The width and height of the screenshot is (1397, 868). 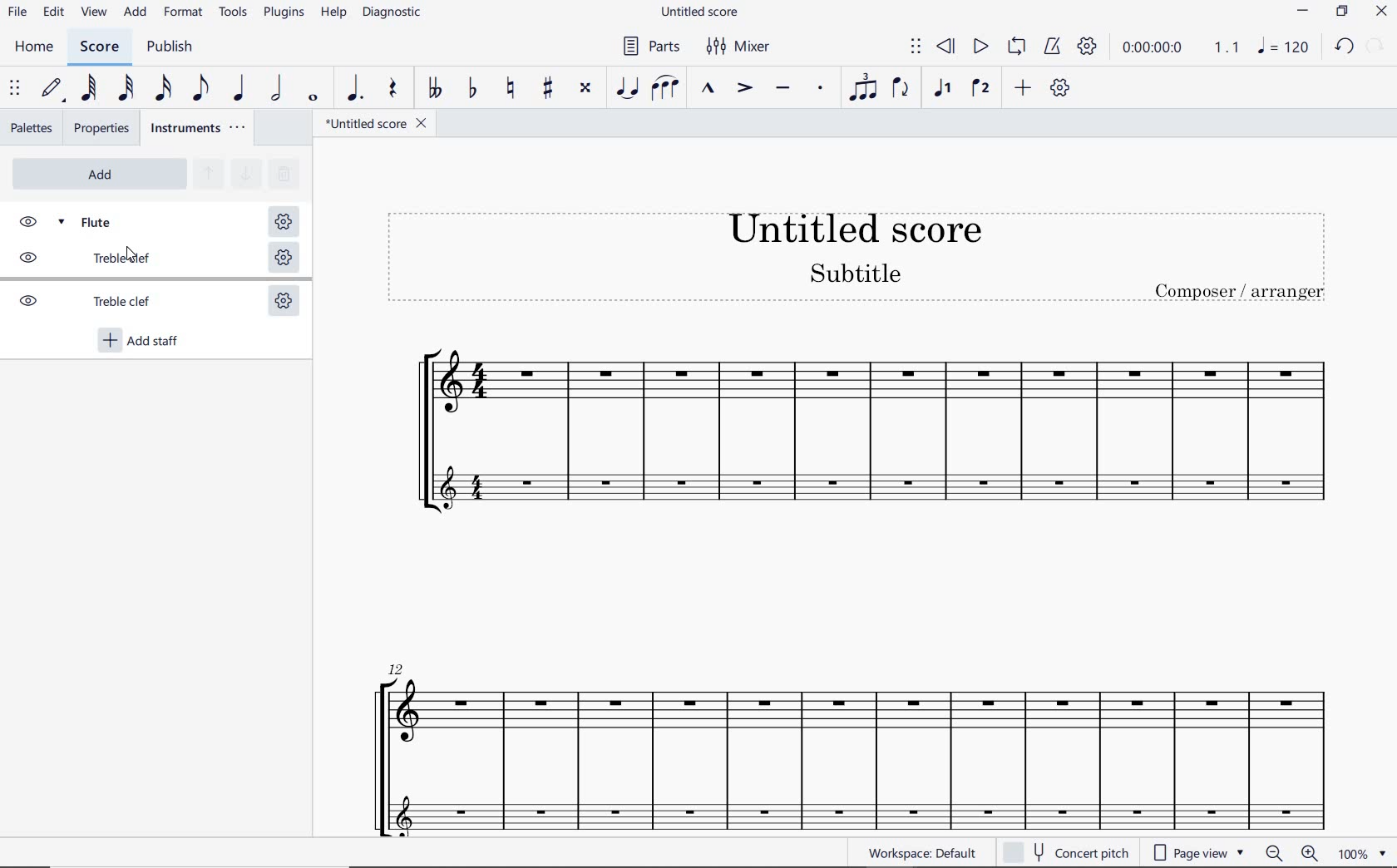 What do you see at coordinates (100, 47) in the screenshot?
I see `score` at bounding box center [100, 47].